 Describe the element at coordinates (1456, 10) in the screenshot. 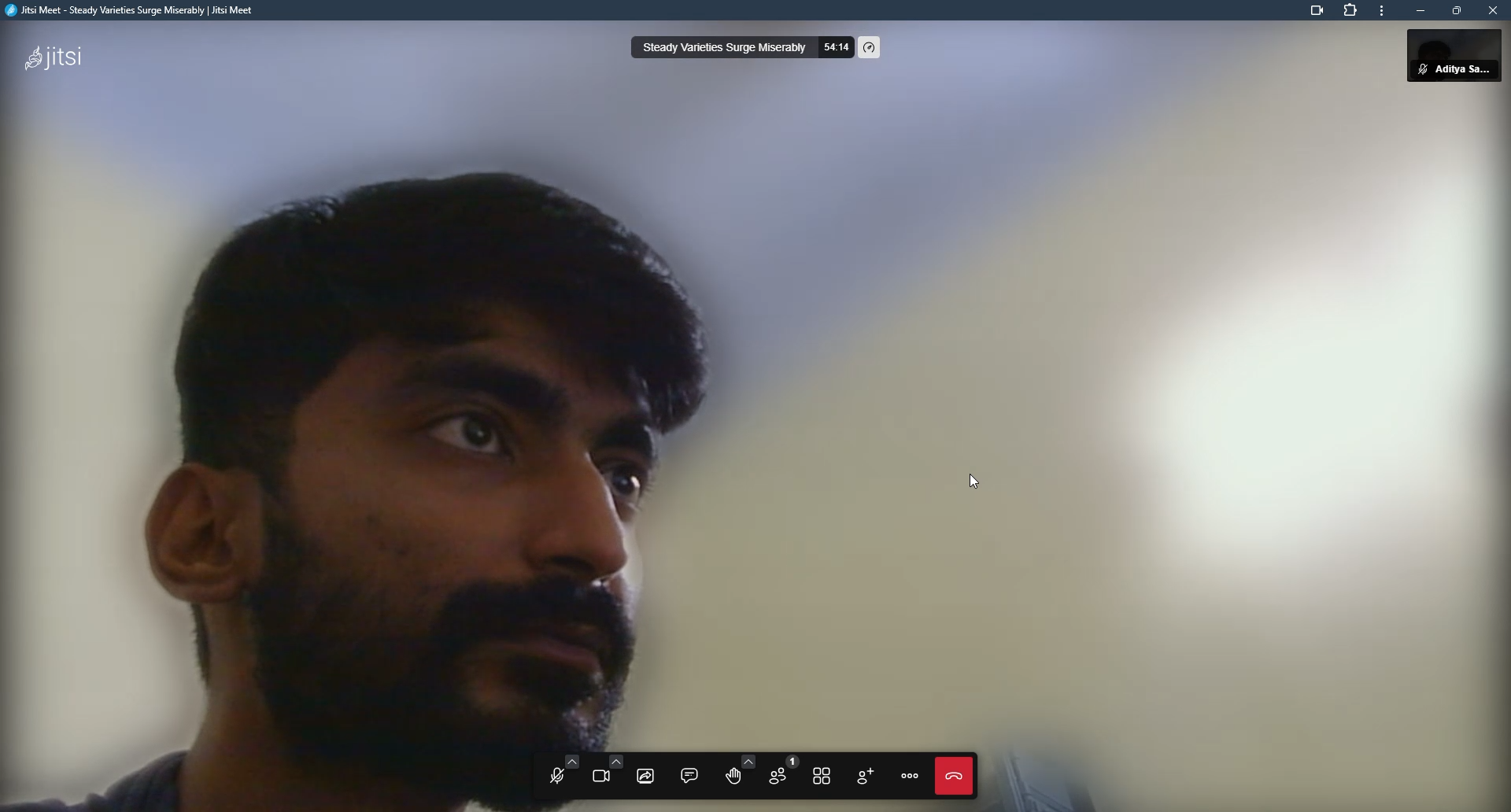

I see `maximize` at that location.